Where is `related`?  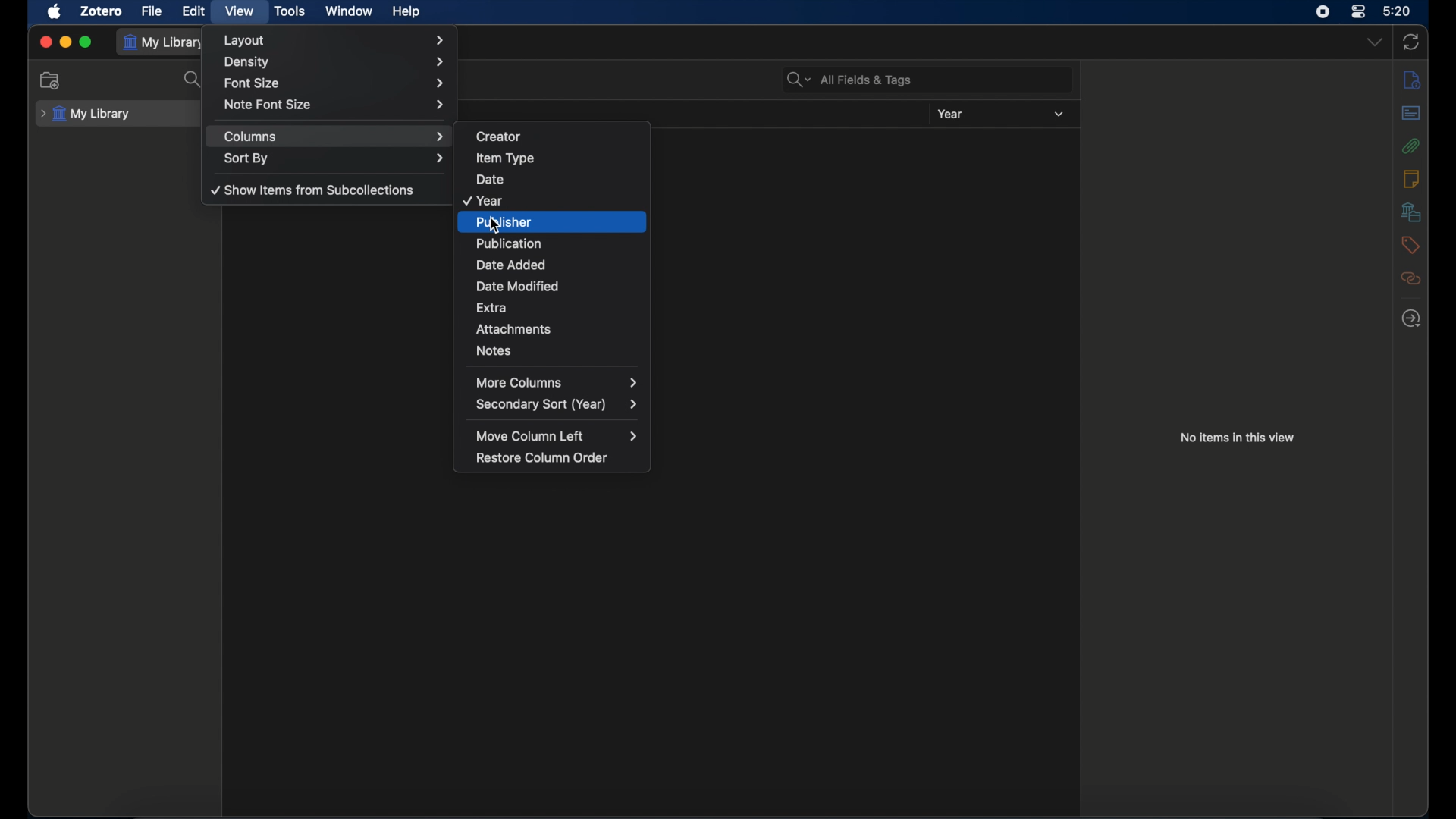
related is located at coordinates (1411, 278).